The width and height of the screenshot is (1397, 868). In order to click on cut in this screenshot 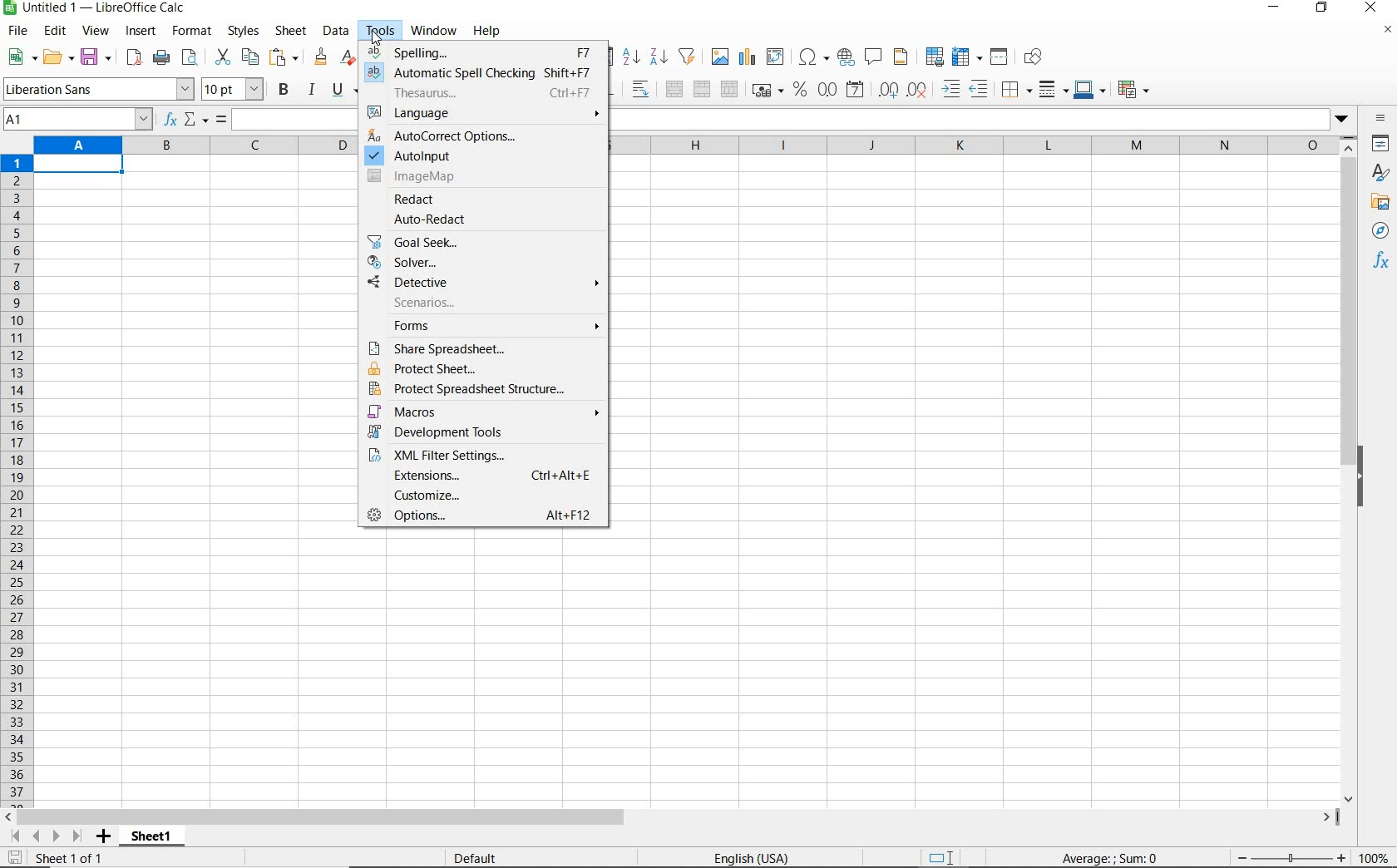, I will do `click(222, 57)`.